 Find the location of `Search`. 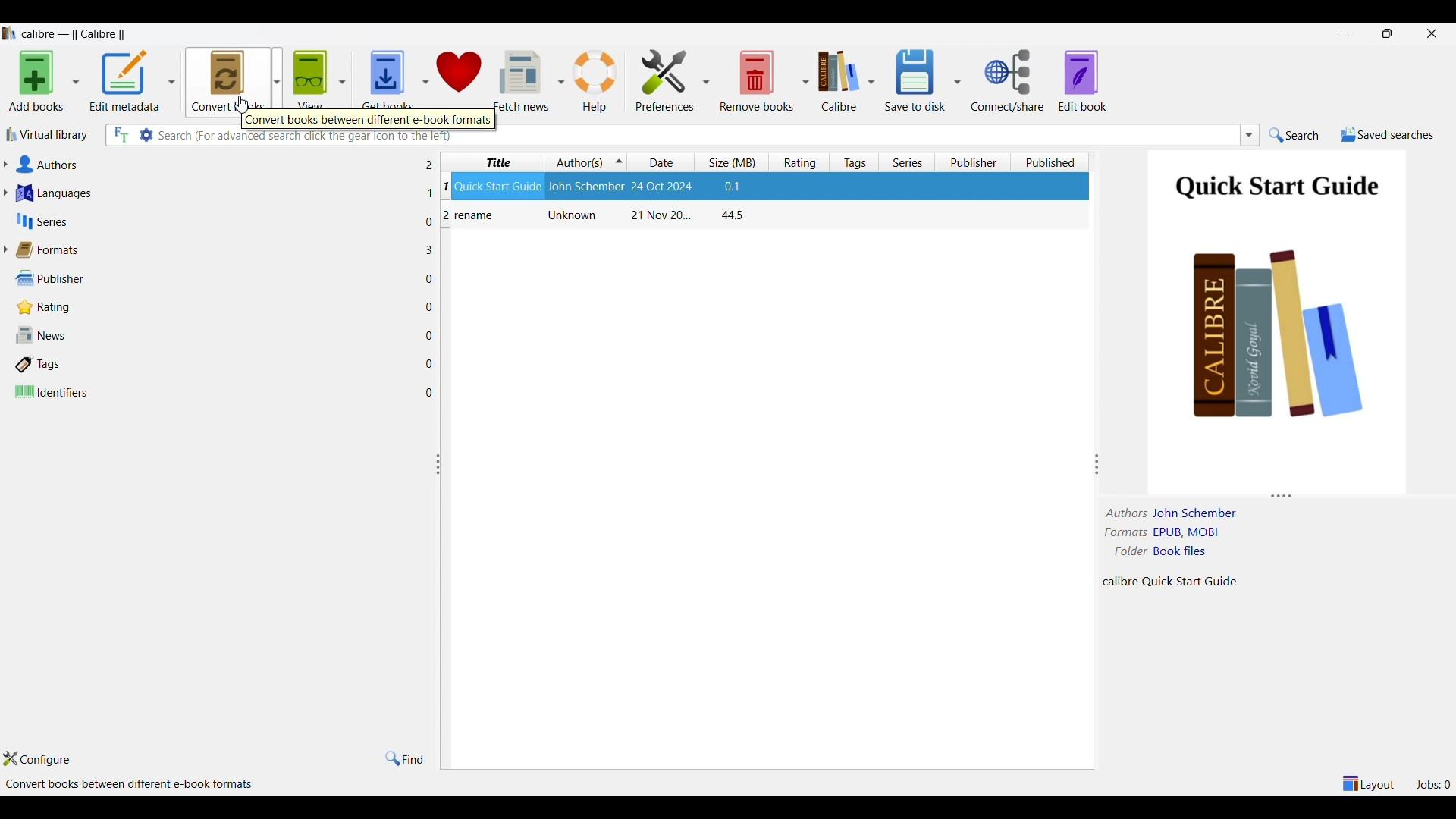

Search is located at coordinates (1294, 135).